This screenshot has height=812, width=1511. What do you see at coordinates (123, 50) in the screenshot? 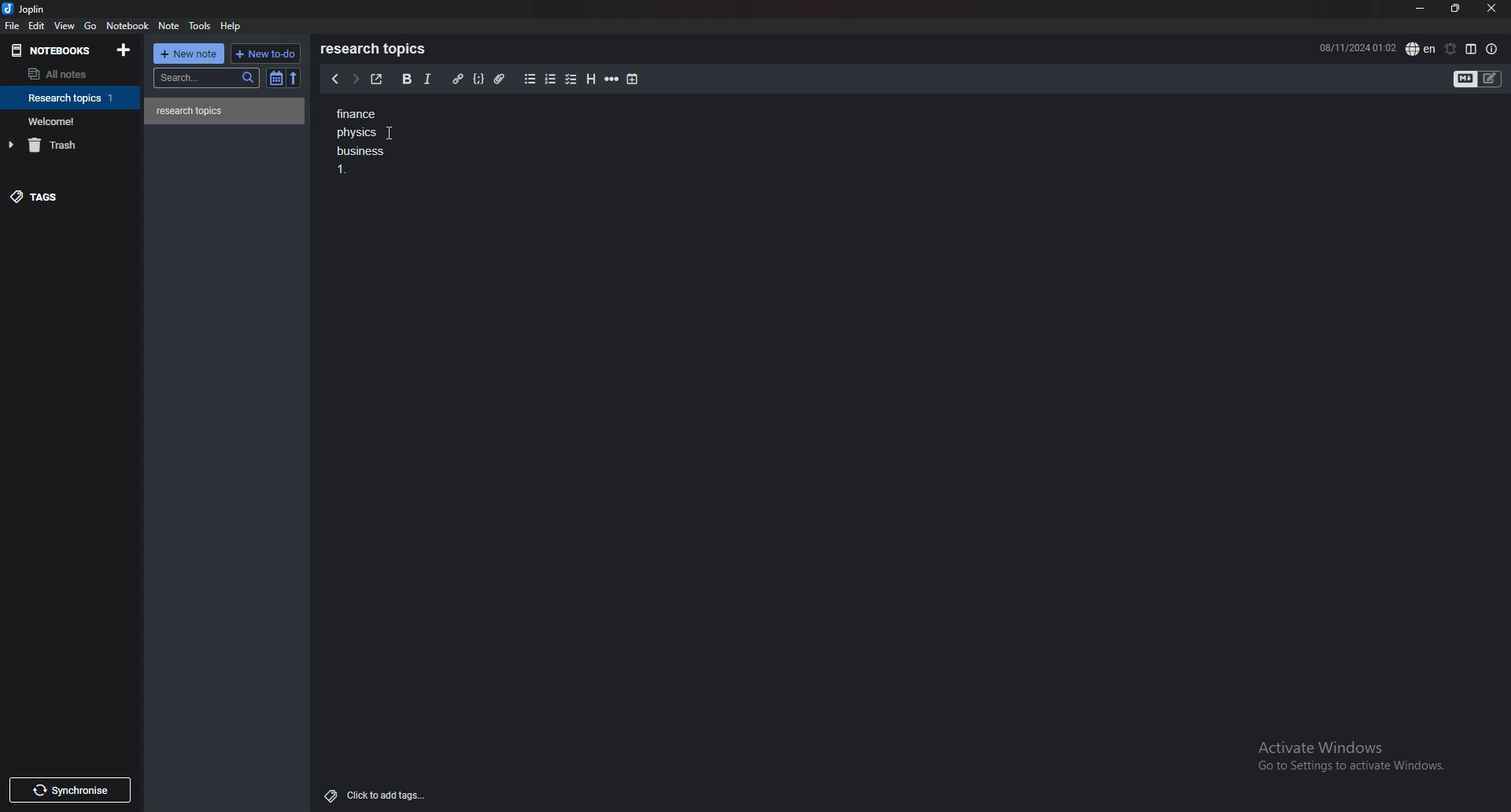
I see `add notebook` at bounding box center [123, 50].